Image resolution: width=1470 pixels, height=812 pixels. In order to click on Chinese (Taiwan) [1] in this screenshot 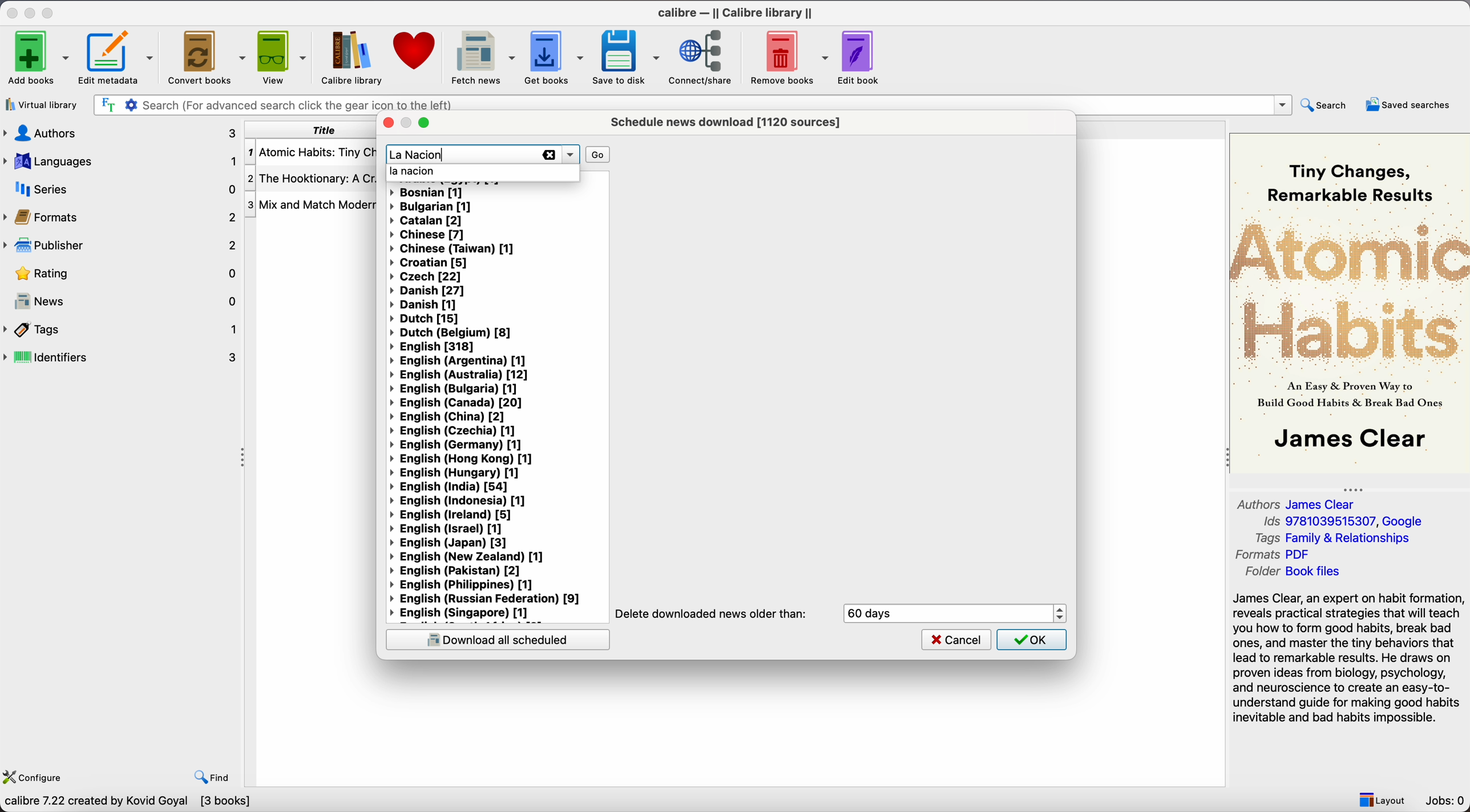, I will do `click(452, 248)`.